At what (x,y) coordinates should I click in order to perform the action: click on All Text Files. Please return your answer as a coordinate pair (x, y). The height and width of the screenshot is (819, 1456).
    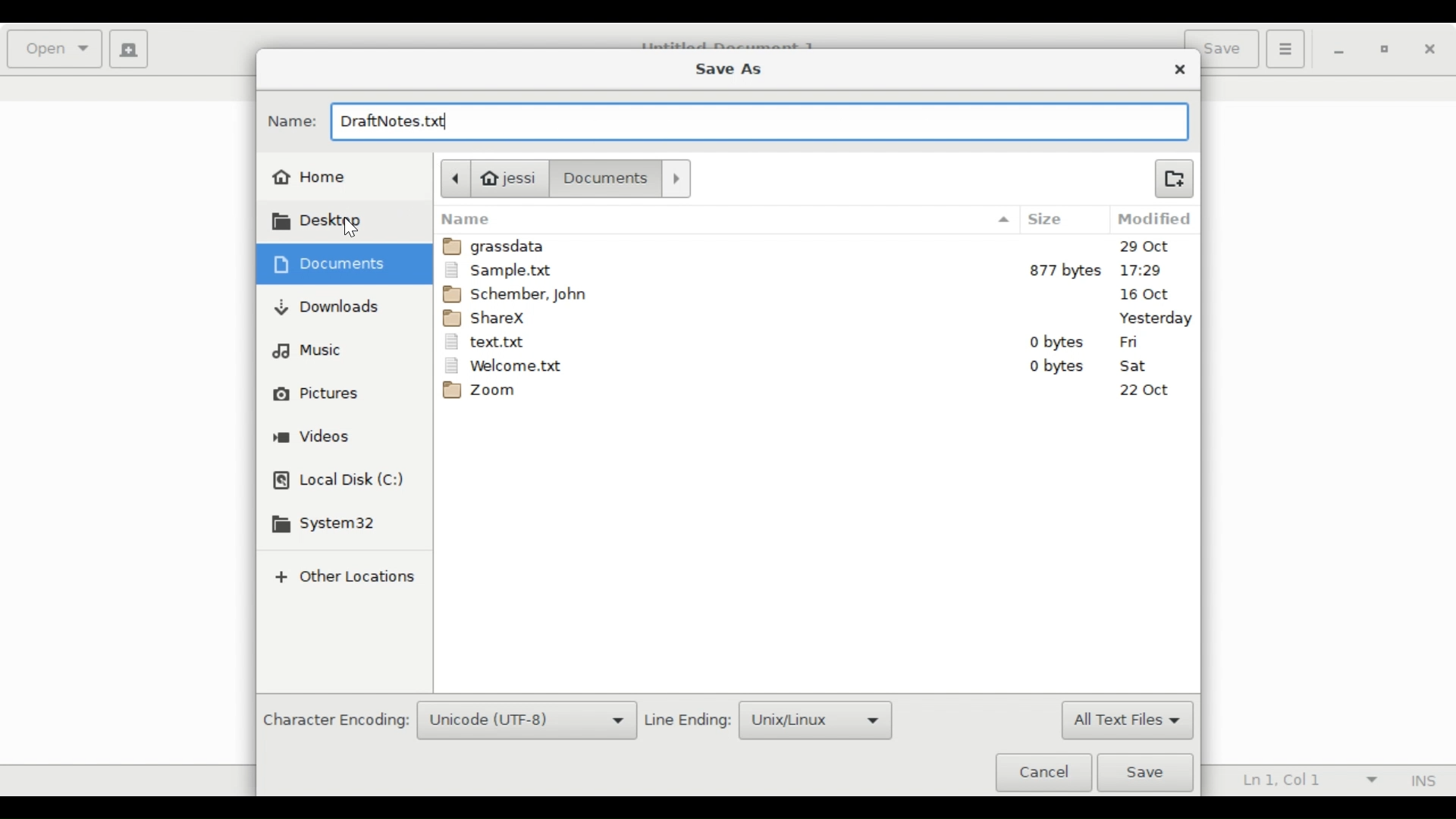
    Looking at the image, I should click on (1126, 721).